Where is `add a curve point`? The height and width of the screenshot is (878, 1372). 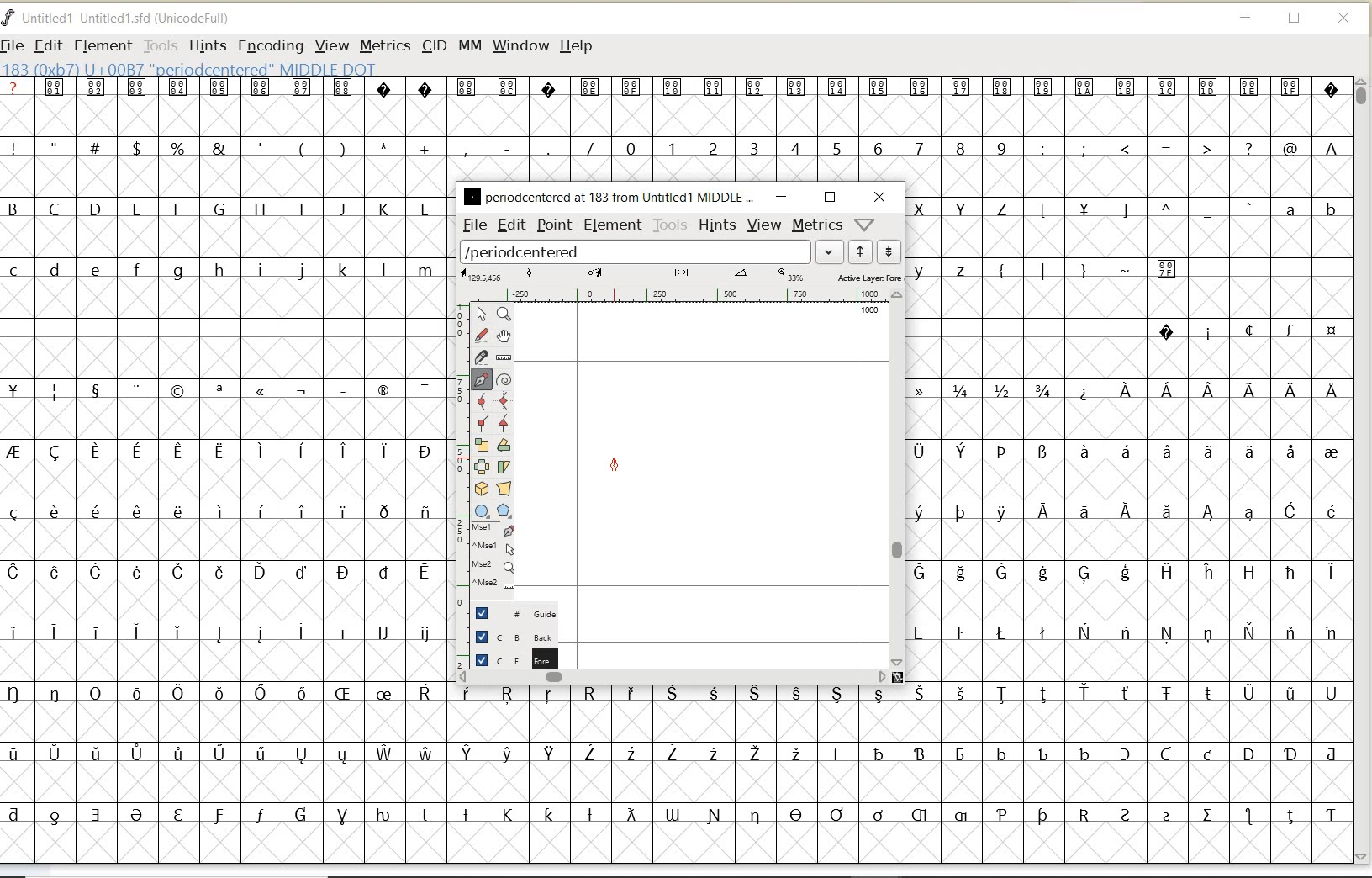 add a curve point is located at coordinates (483, 399).